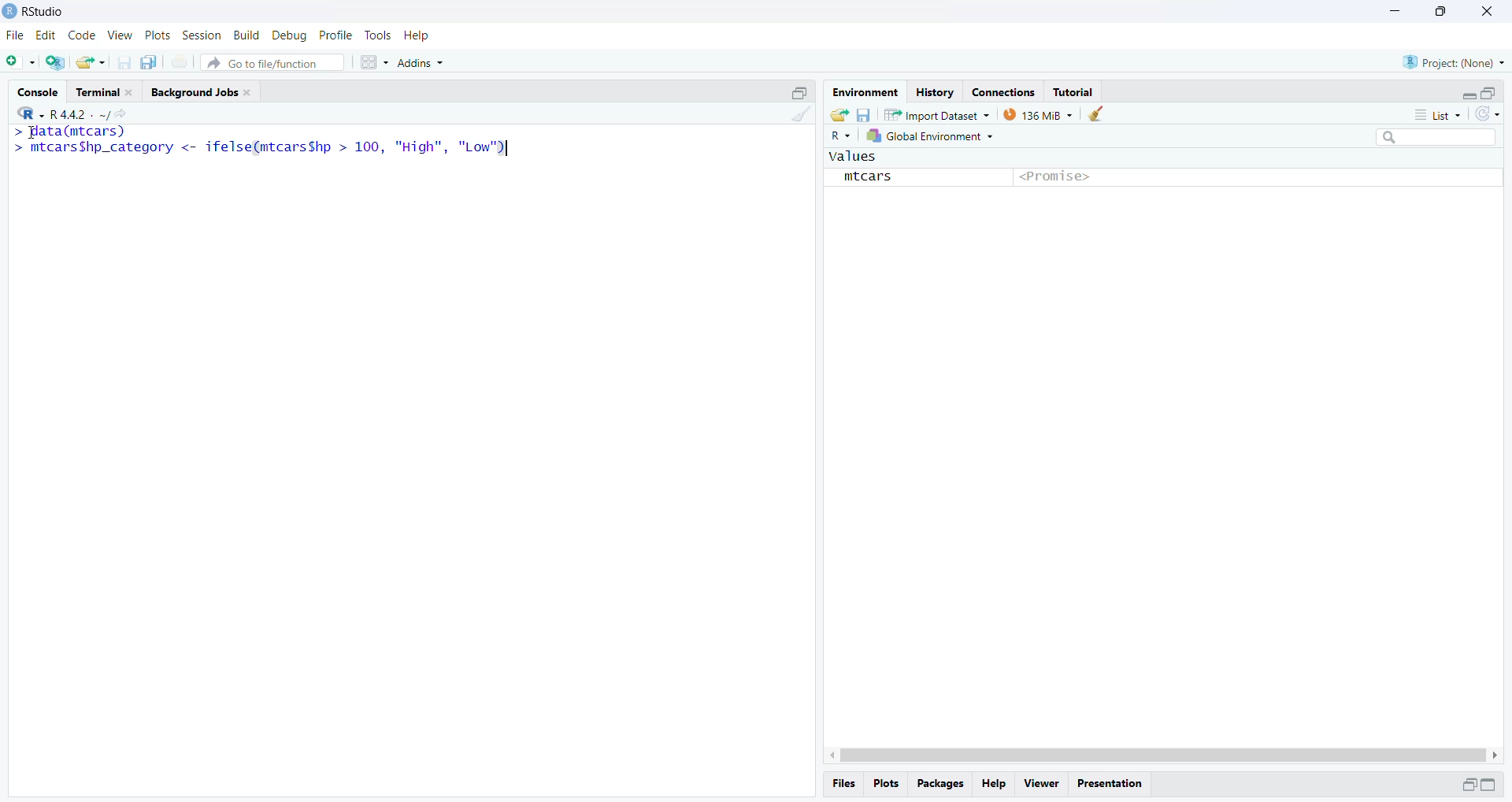  Describe the element at coordinates (933, 91) in the screenshot. I see `History` at that location.